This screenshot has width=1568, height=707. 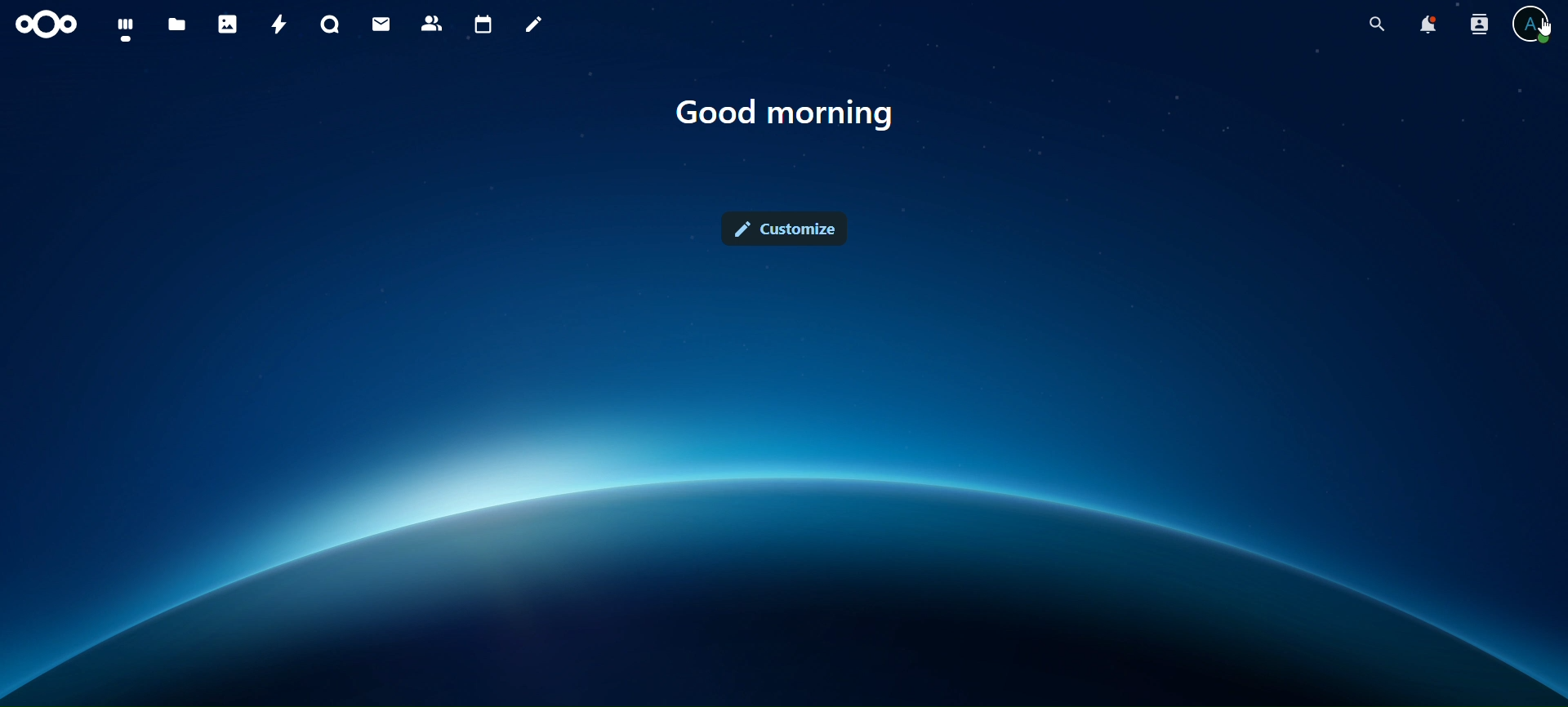 What do you see at coordinates (176, 26) in the screenshot?
I see `files` at bounding box center [176, 26].